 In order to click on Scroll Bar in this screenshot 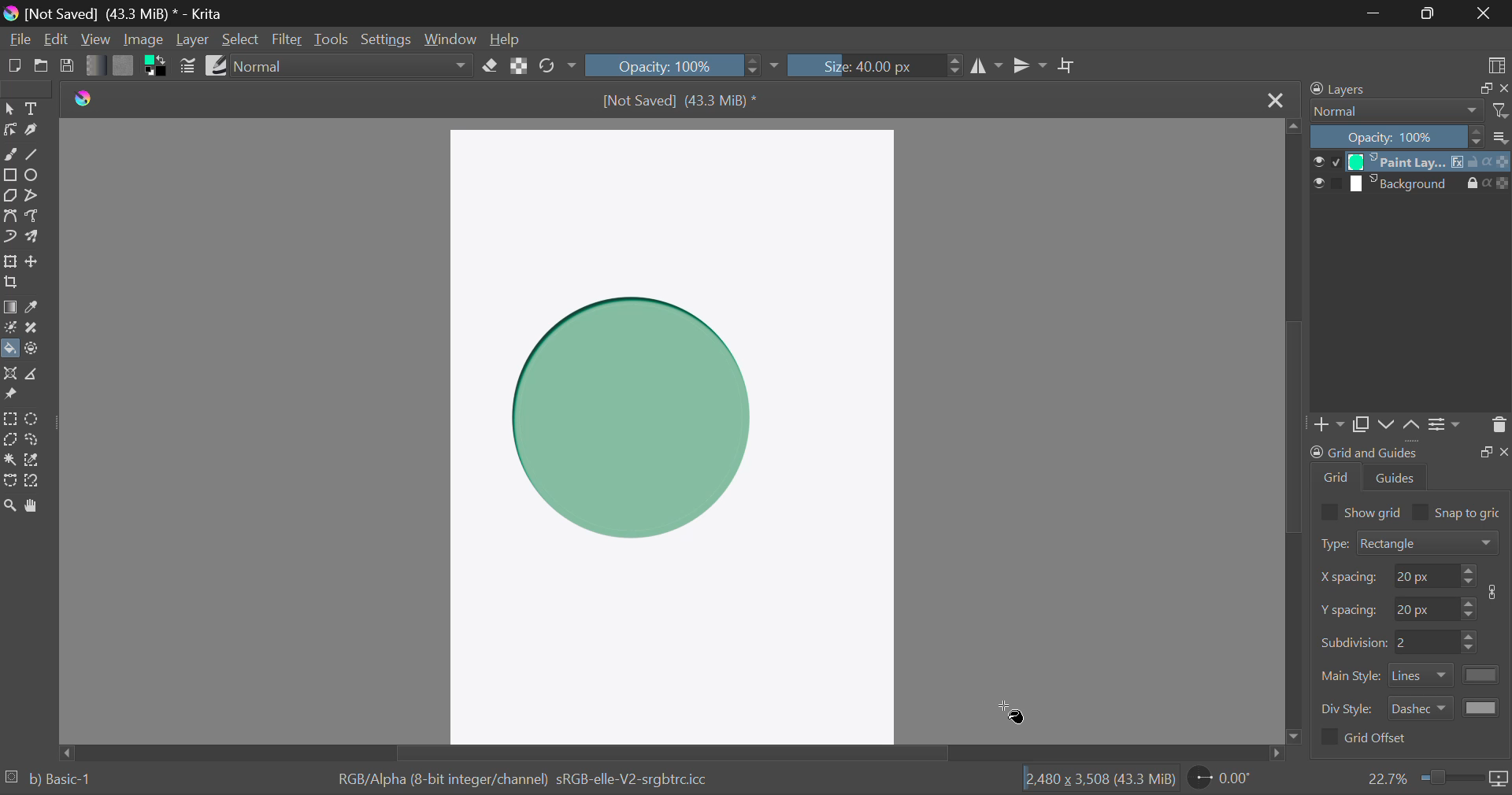, I will do `click(1296, 427)`.